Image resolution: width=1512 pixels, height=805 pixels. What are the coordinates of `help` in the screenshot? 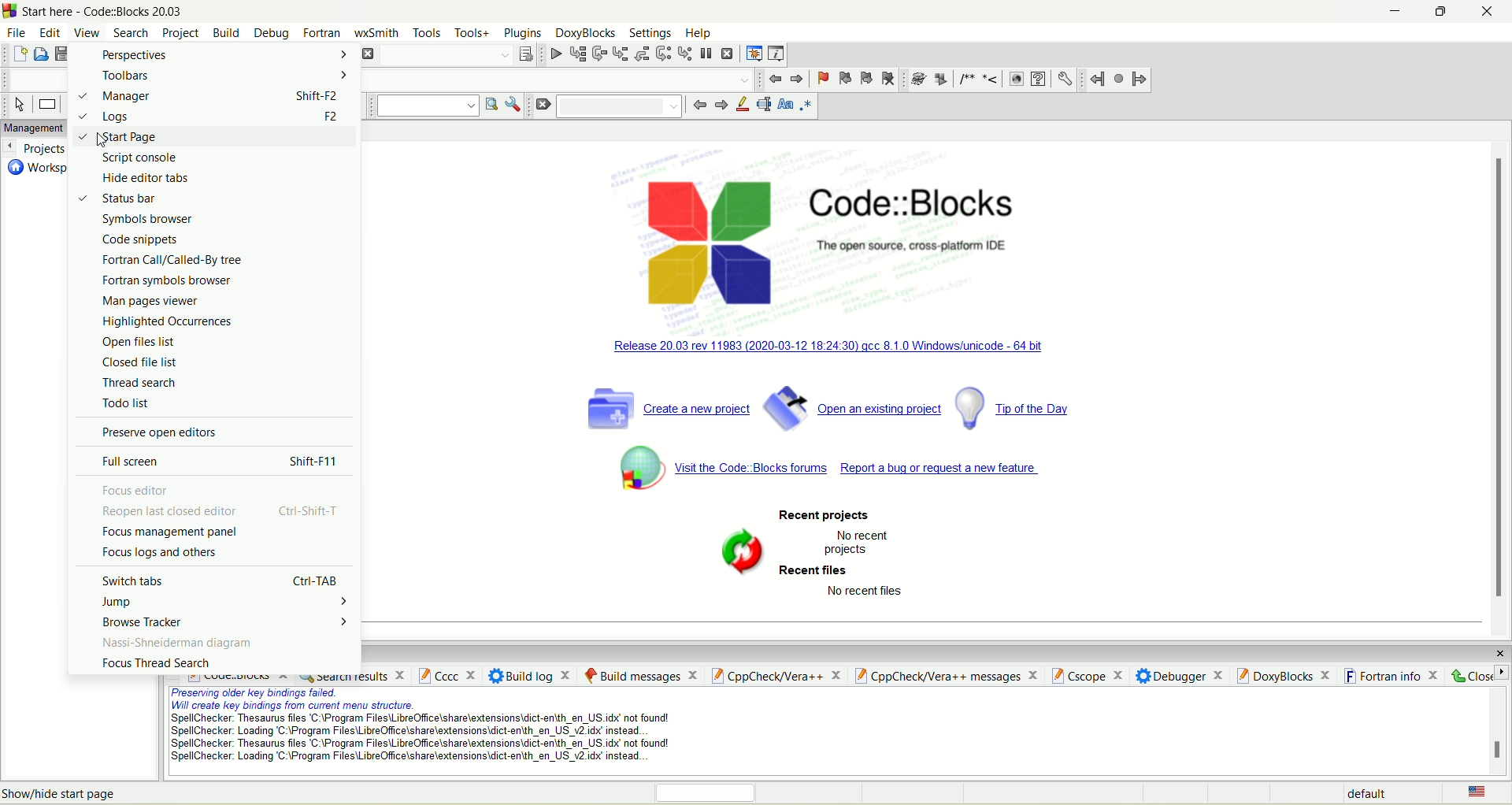 It's located at (1039, 80).